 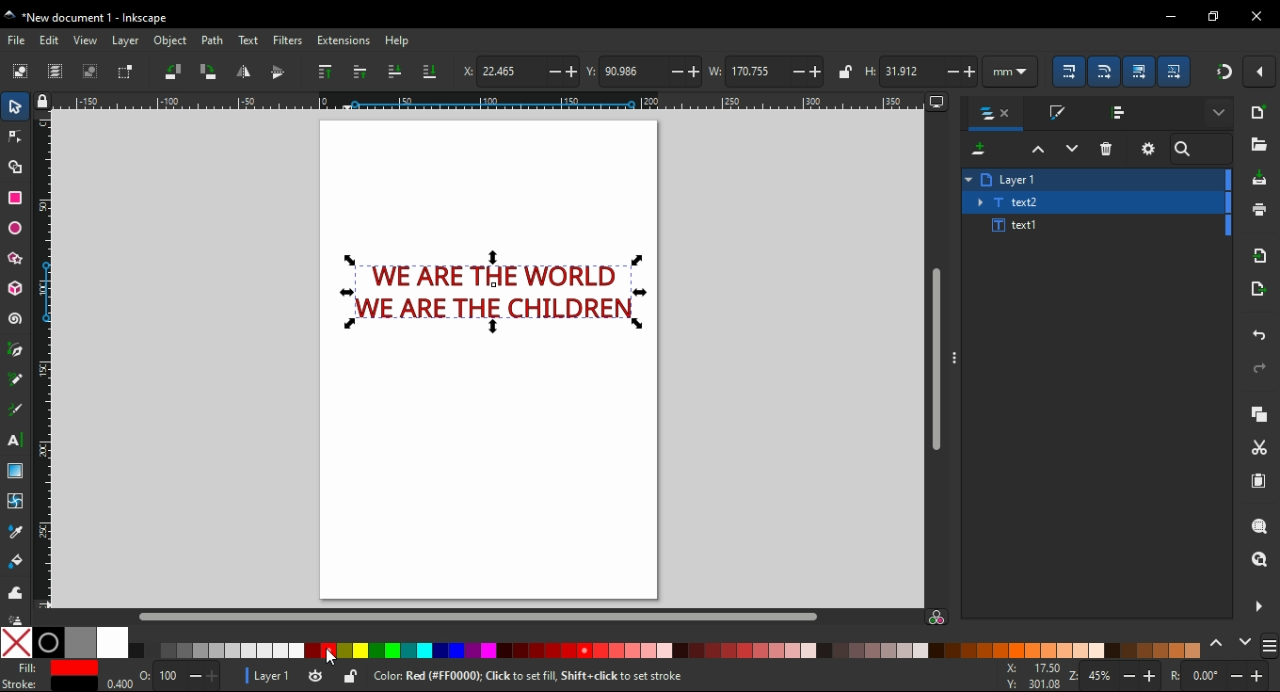 What do you see at coordinates (14, 287) in the screenshot?
I see `3D block tool` at bounding box center [14, 287].